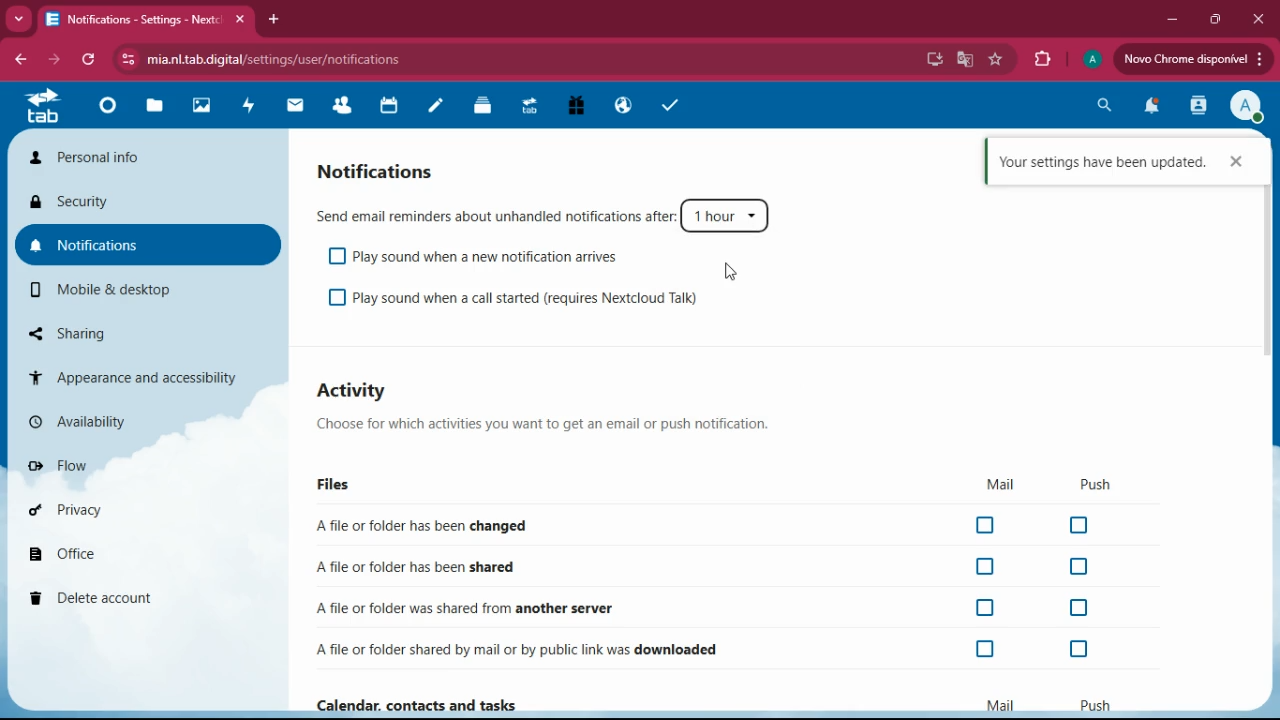 The width and height of the screenshot is (1280, 720). I want to click on calendar, so click(390, 107).